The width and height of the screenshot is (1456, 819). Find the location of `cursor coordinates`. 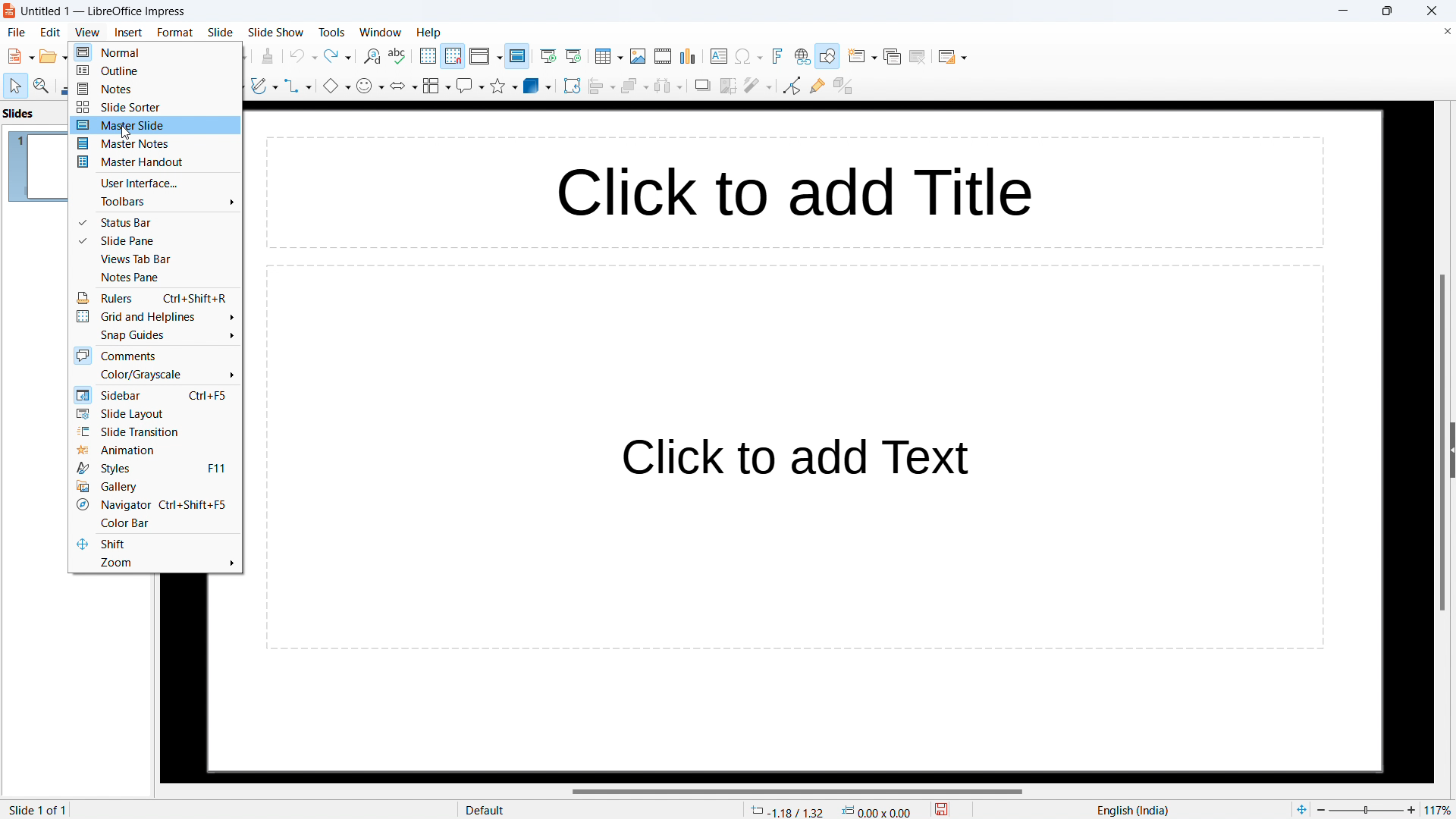

cursor coordinates is located at coordinates (788, 809).